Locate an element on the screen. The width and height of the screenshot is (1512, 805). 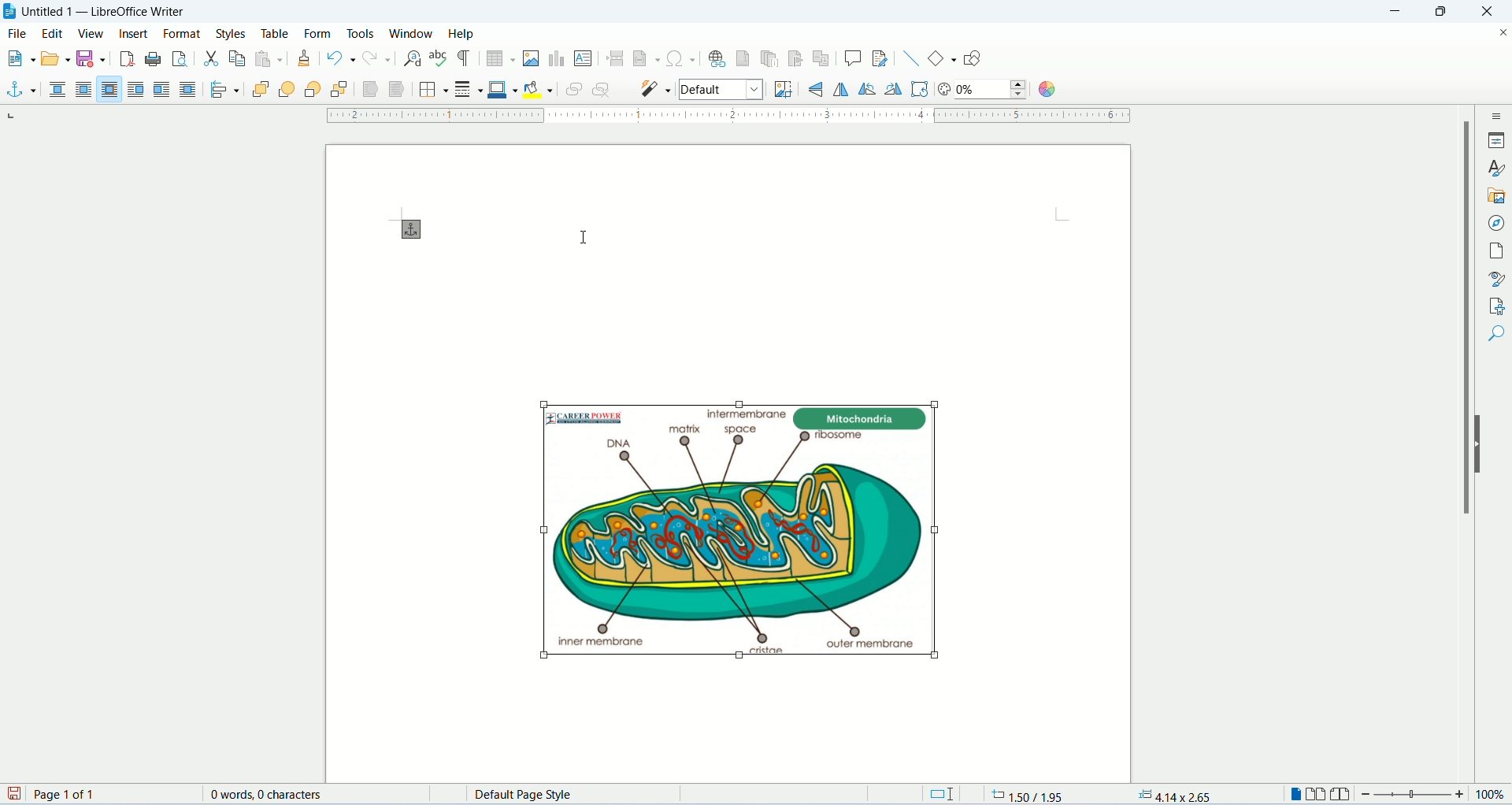
new is located at coordinates (19, 57).